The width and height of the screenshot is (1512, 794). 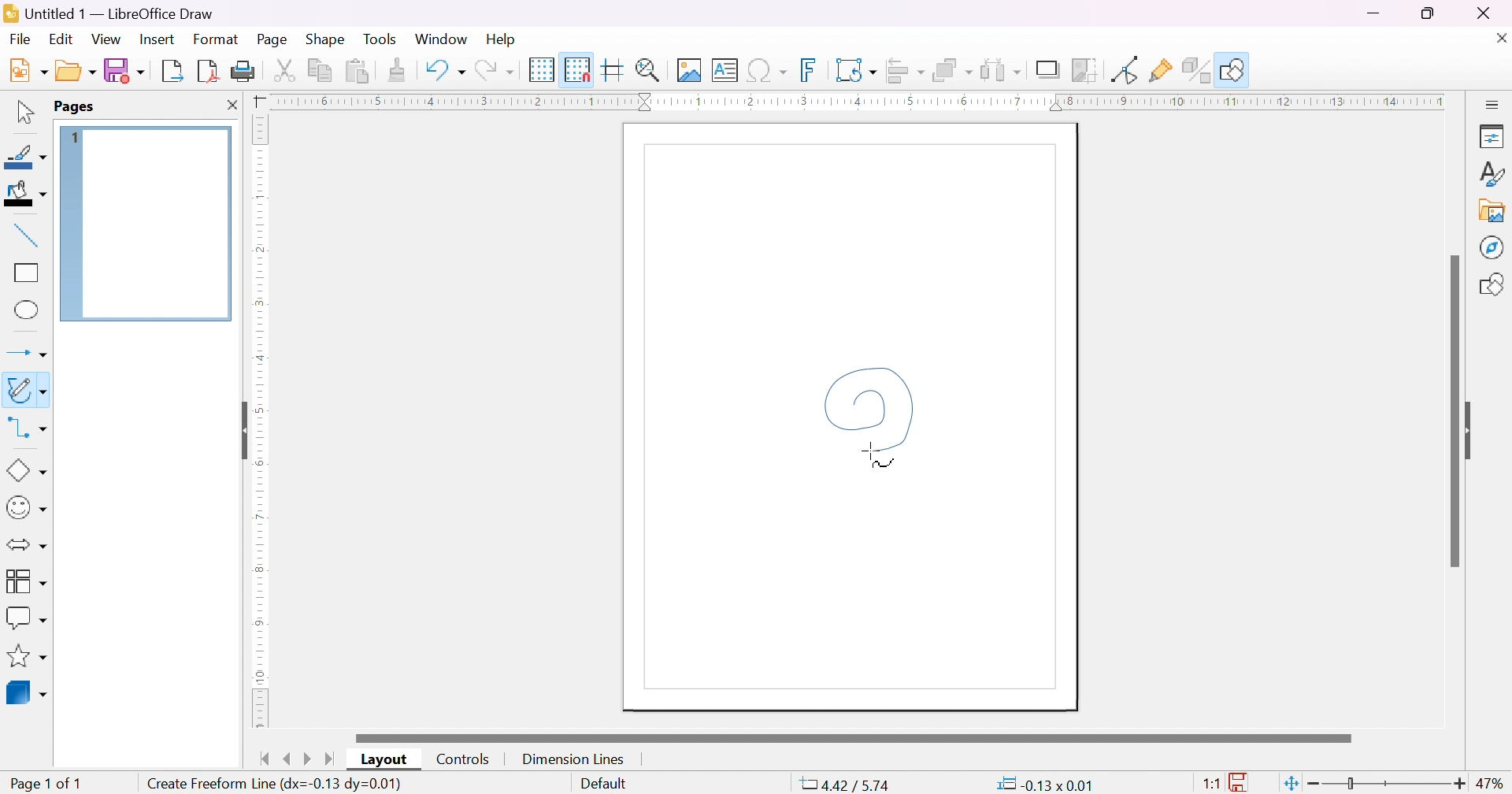 What do you see at coordinates (27, 471) in the screenshot?
I see `basic shapes` at bounding box center [27, 471].